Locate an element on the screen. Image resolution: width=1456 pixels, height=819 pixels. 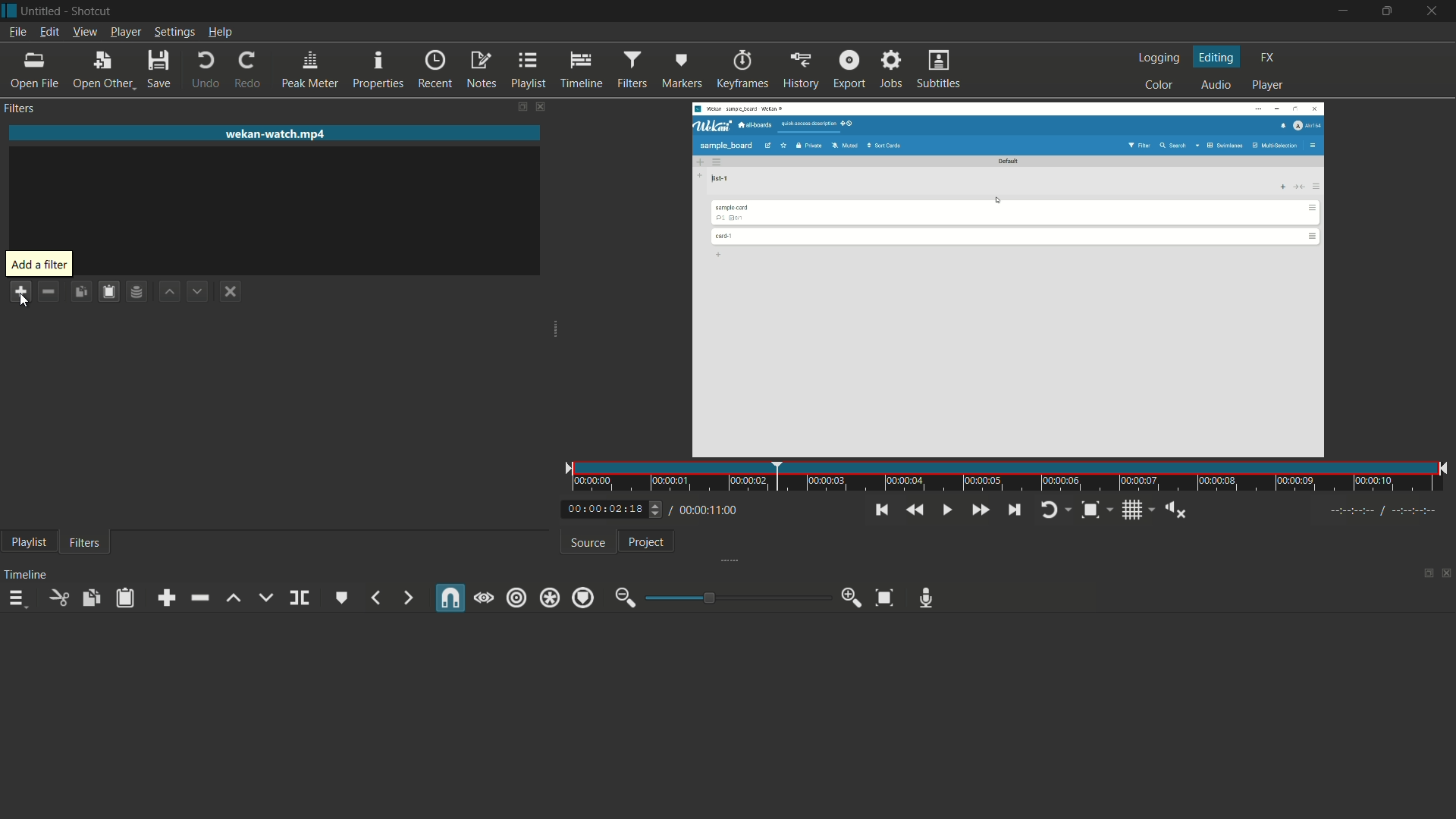
time is located at coordinates (1014, 478).